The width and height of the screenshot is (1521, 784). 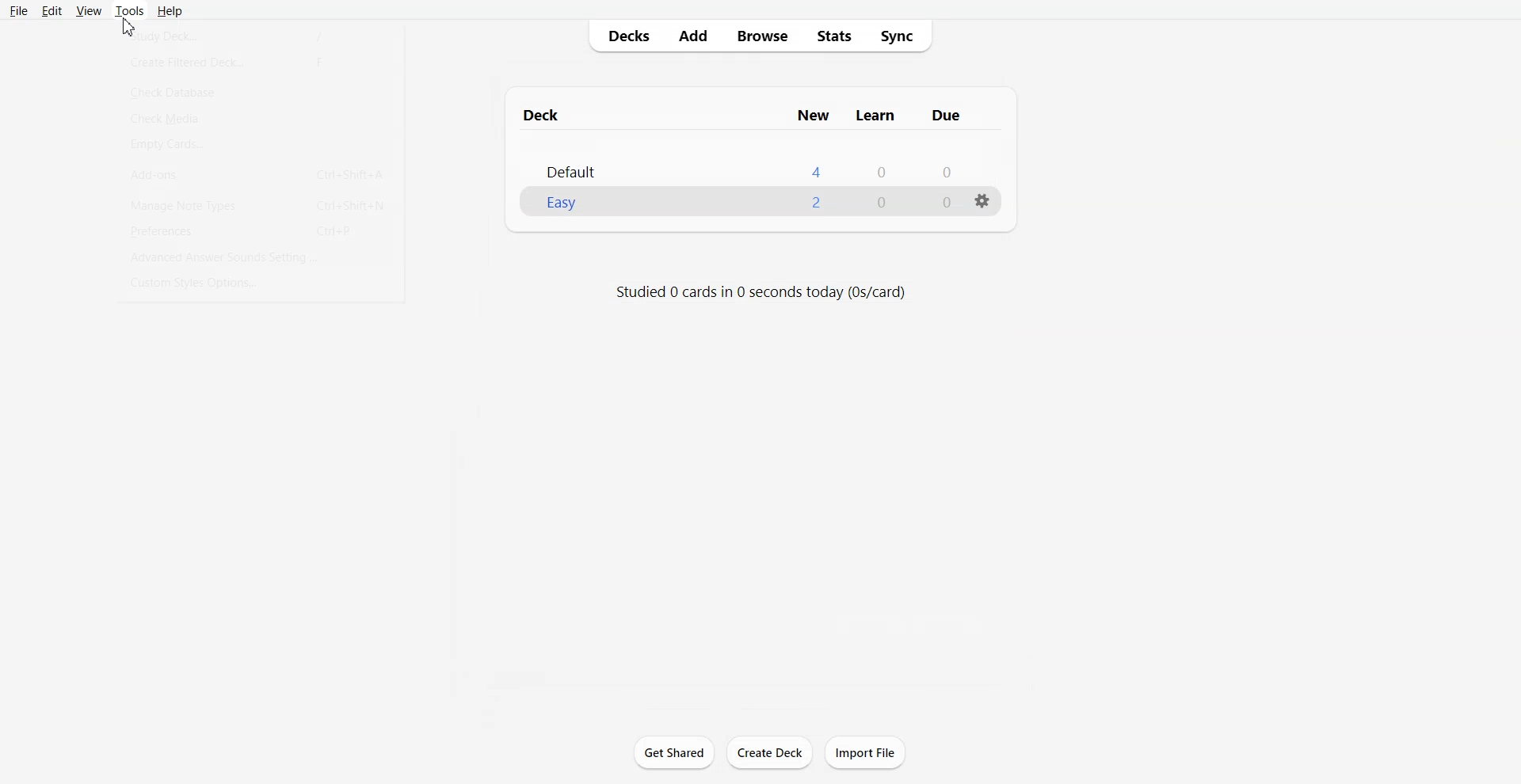 I want to click on Easy Deck, so click(x=760, y=201).